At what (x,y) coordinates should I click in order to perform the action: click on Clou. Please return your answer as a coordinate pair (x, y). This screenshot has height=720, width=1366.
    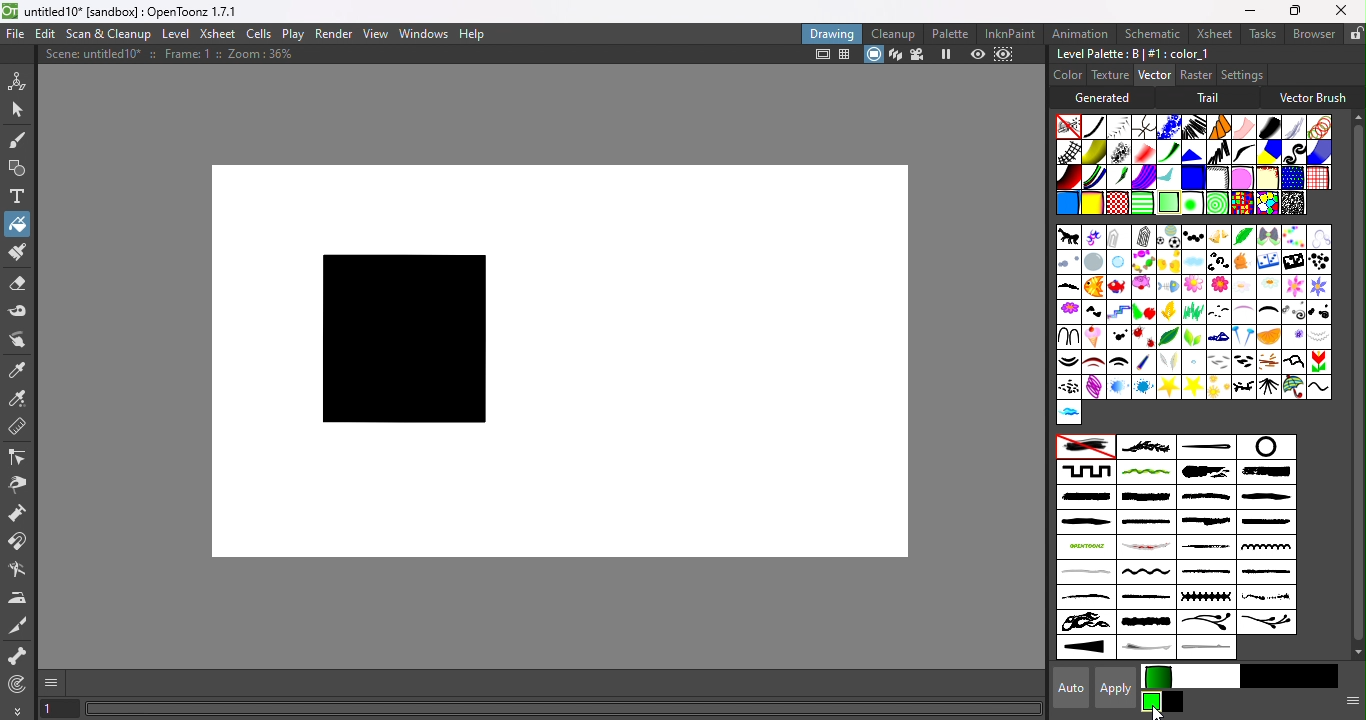
    Looking at the image, I should click on (1194, 262).